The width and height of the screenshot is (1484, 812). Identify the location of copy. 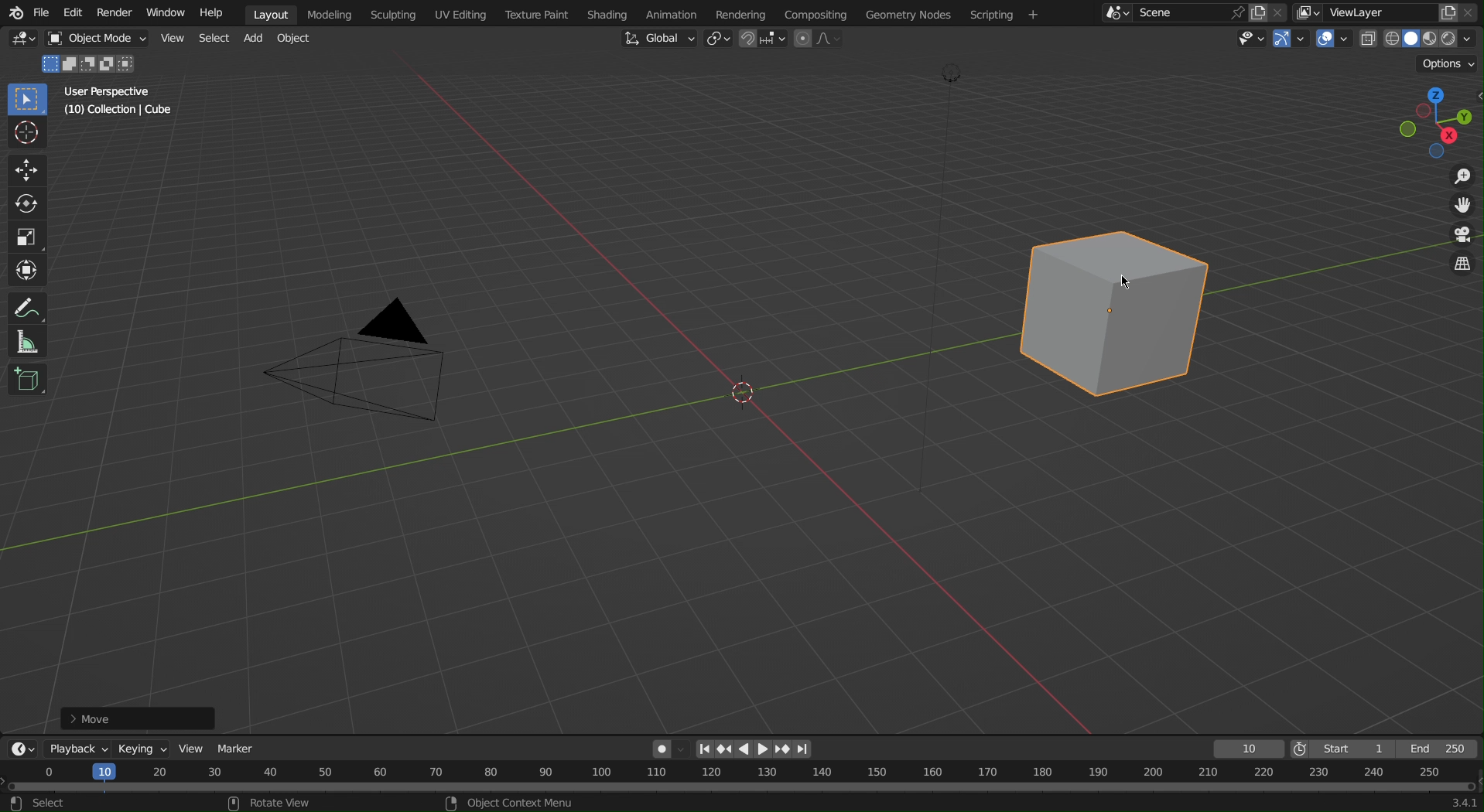
(1448, 11).